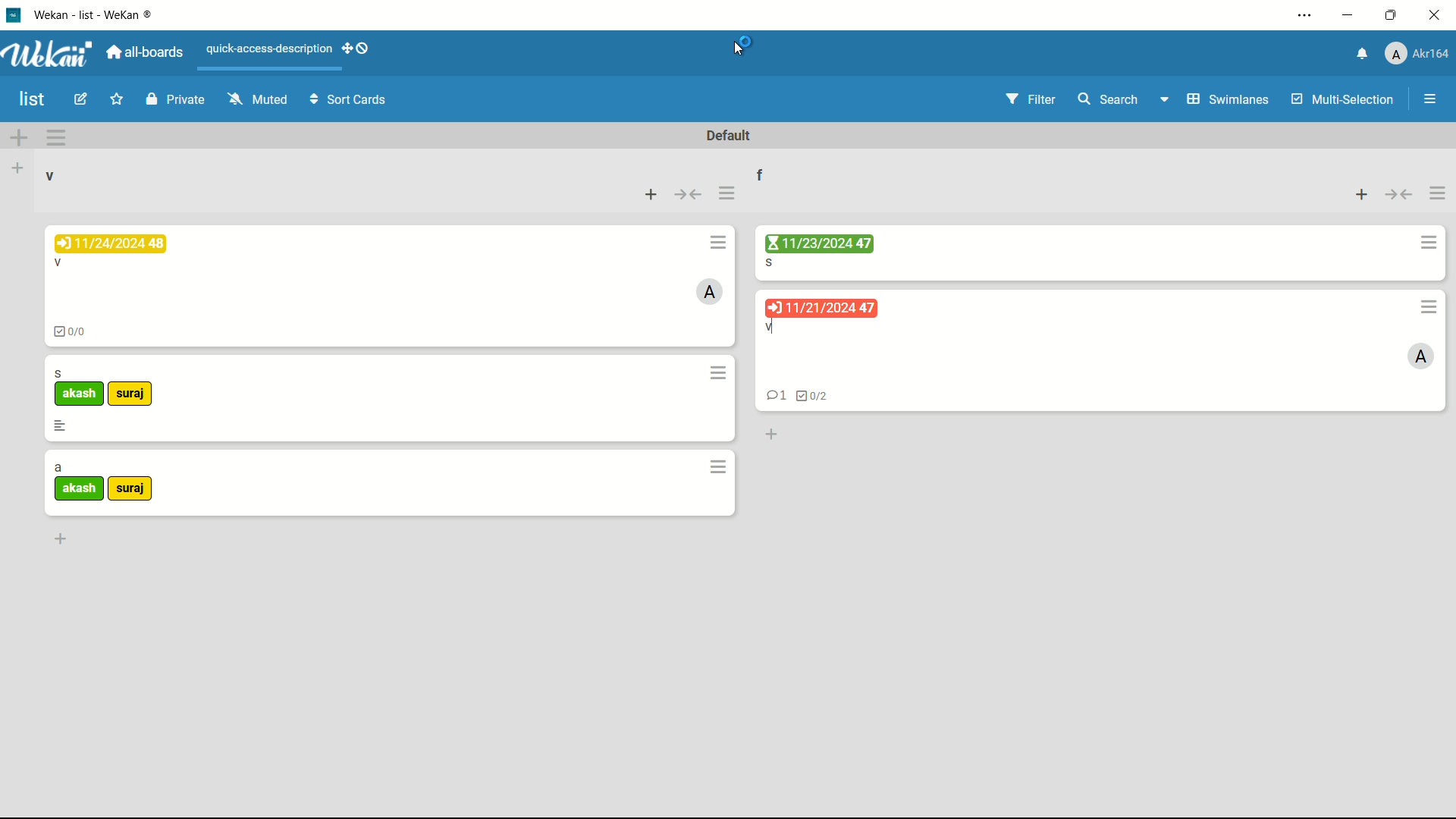 This screenshot has height=819, width=1456. What do you see at coordinates (730, 136) in the screenshot?
I see `default` at bounding box center [730, 136].